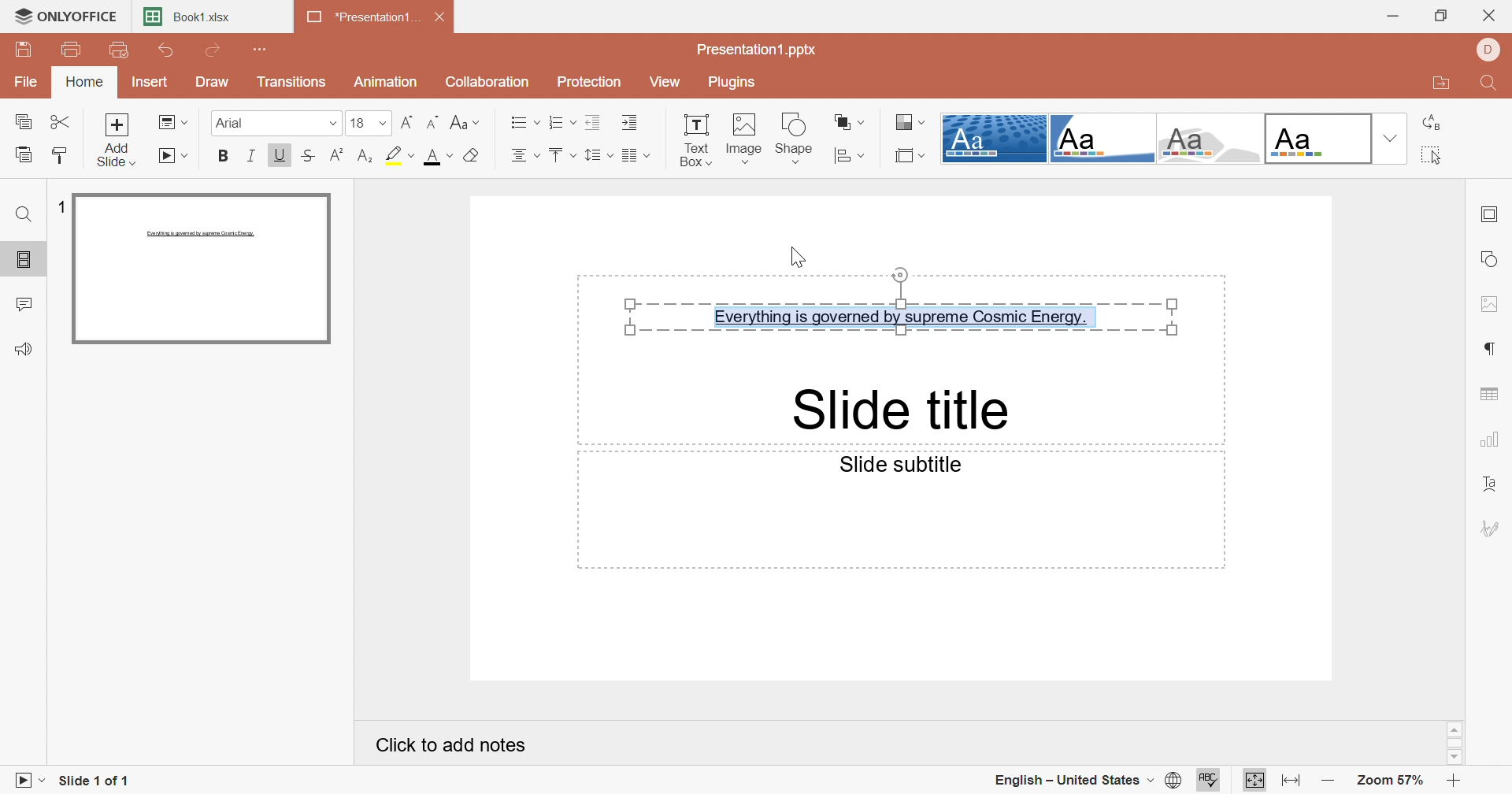 The width and height of the screenshot is (1512, 794). Describe the element at coordinates (120, 50) in the screenshot. I see `Quick Print` at that location.